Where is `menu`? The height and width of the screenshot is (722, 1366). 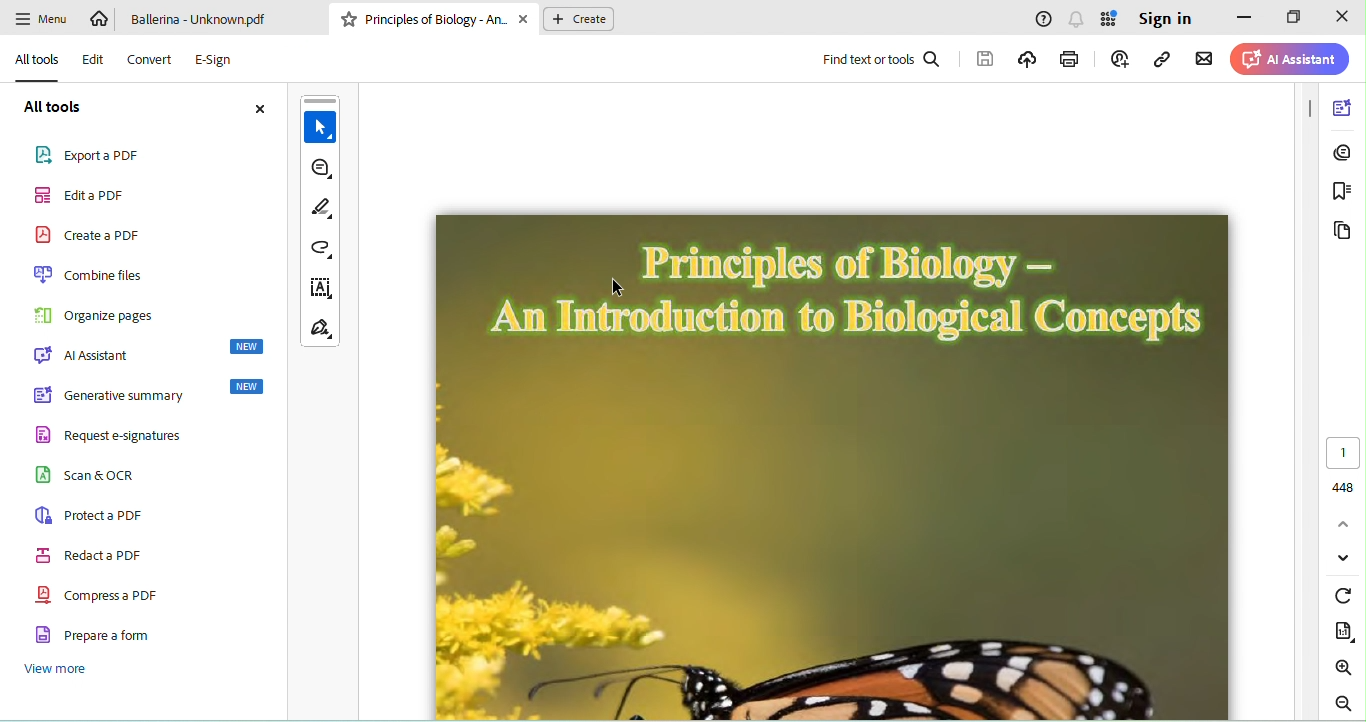
menu is located at coordinates (41, 20).